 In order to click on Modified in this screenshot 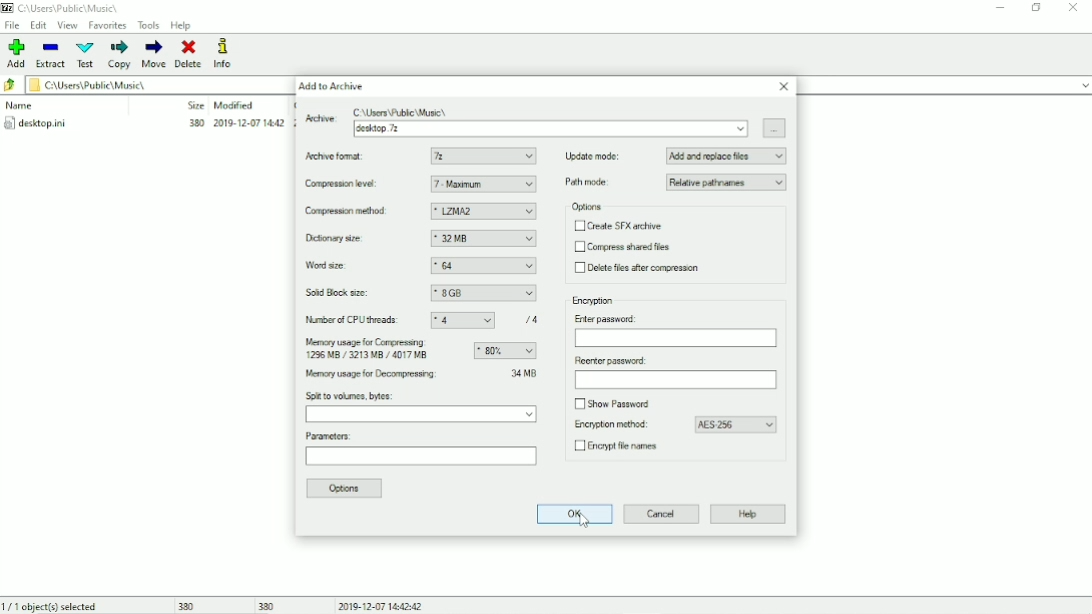, I will do `click(234, 105)`.